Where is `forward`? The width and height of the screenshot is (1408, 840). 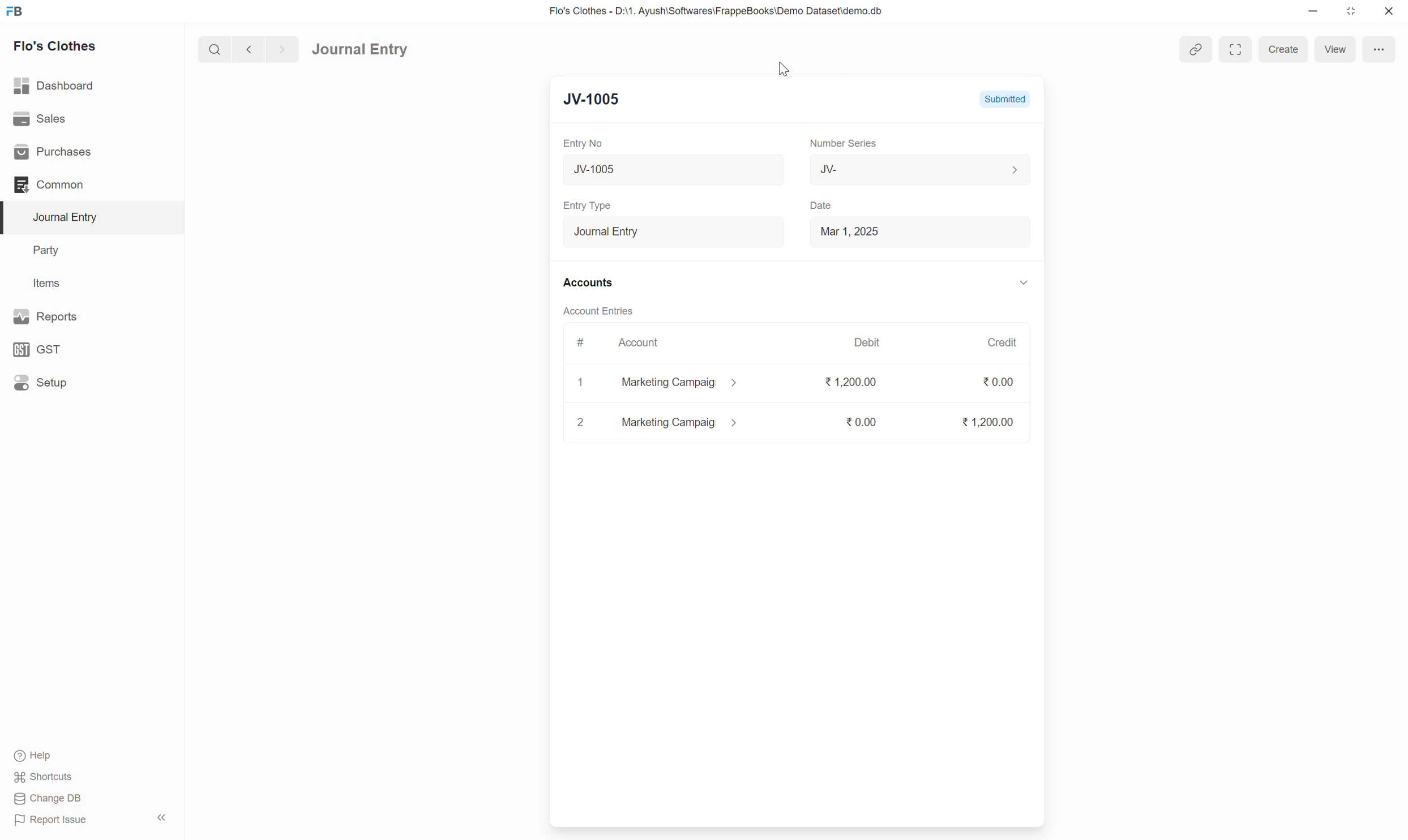 forward is located at coordinates (280, 50).